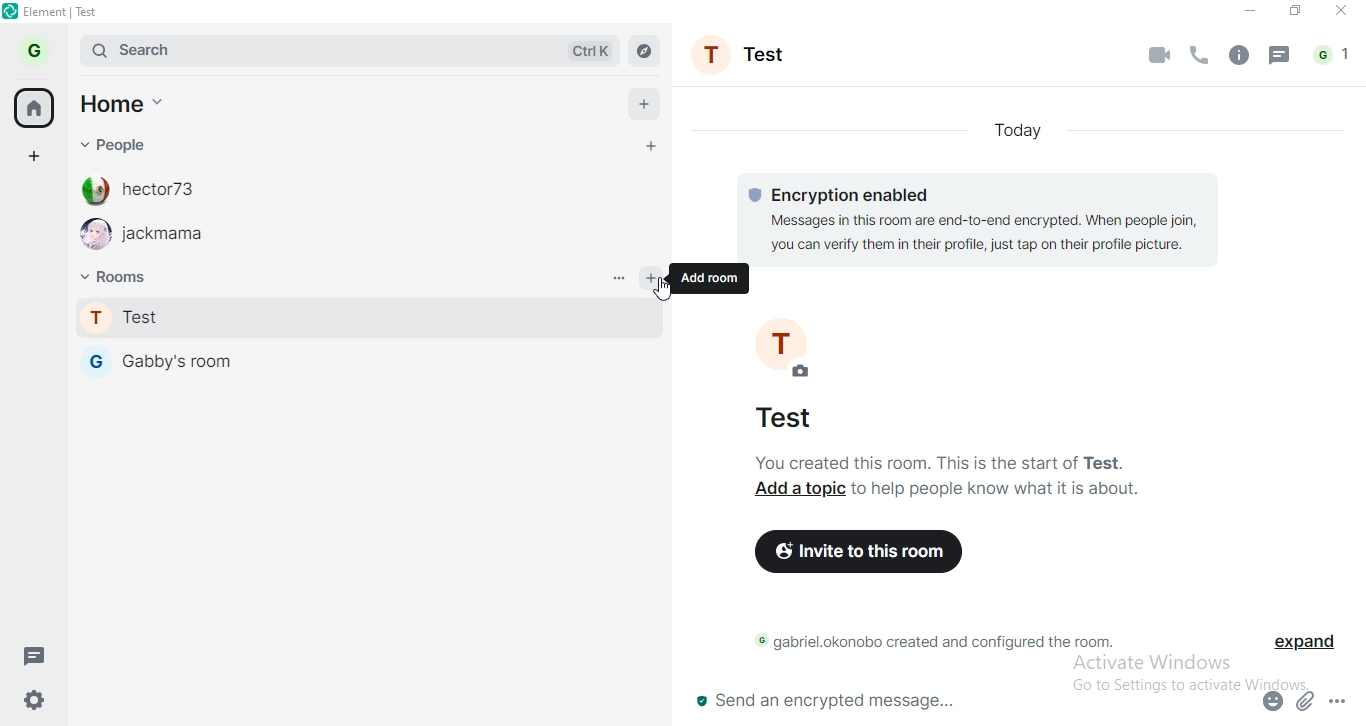 Image resolution: width=1366 pixels, height=726 pixels. Describe the element at coordinates (347, 51) in the screenshot. I see `search bar` at that location.